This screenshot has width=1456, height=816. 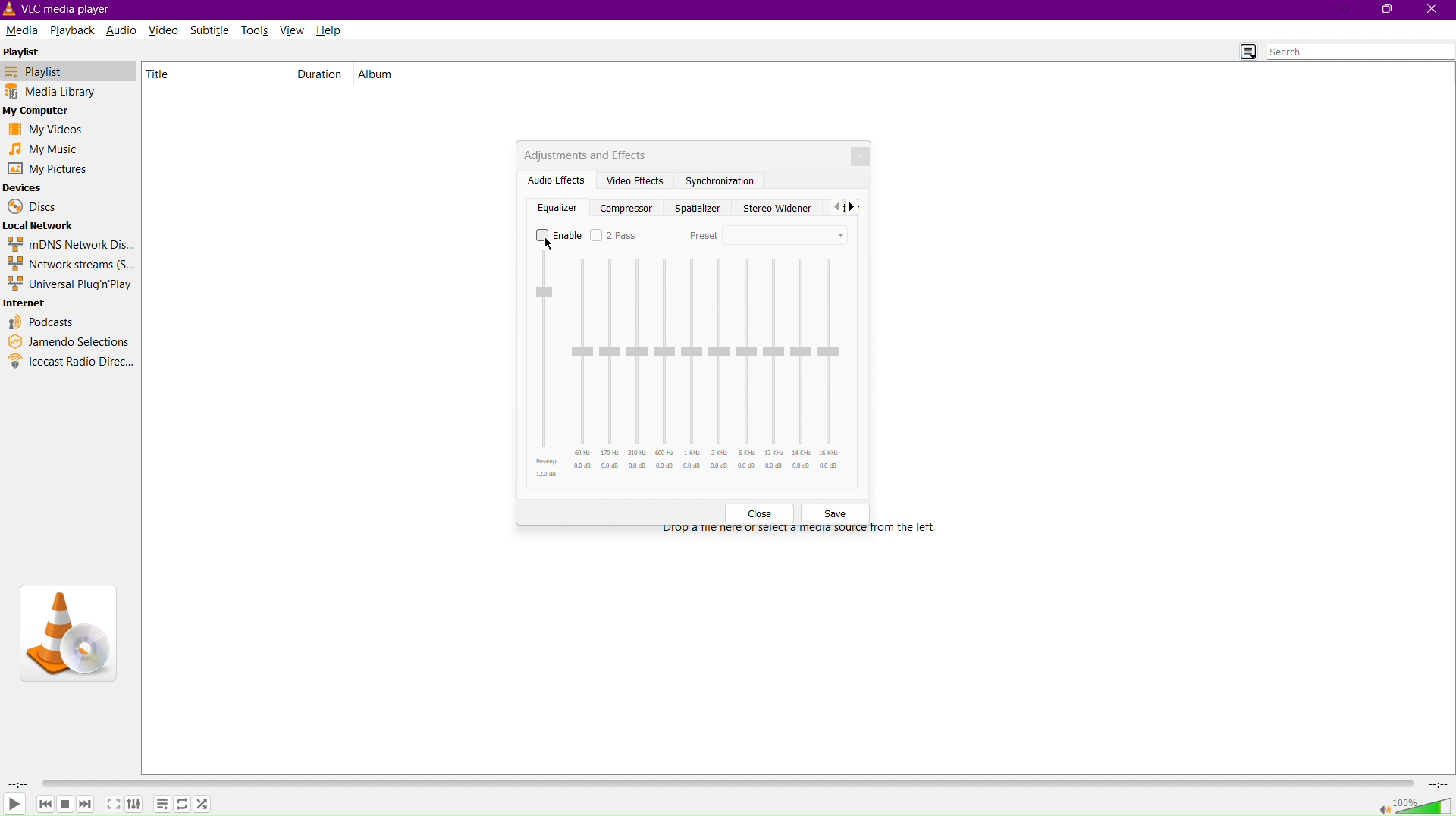 What do you see at coordinates (560, 237) in the screenshot?
I see `Enable` at bounding box center [560, 237].